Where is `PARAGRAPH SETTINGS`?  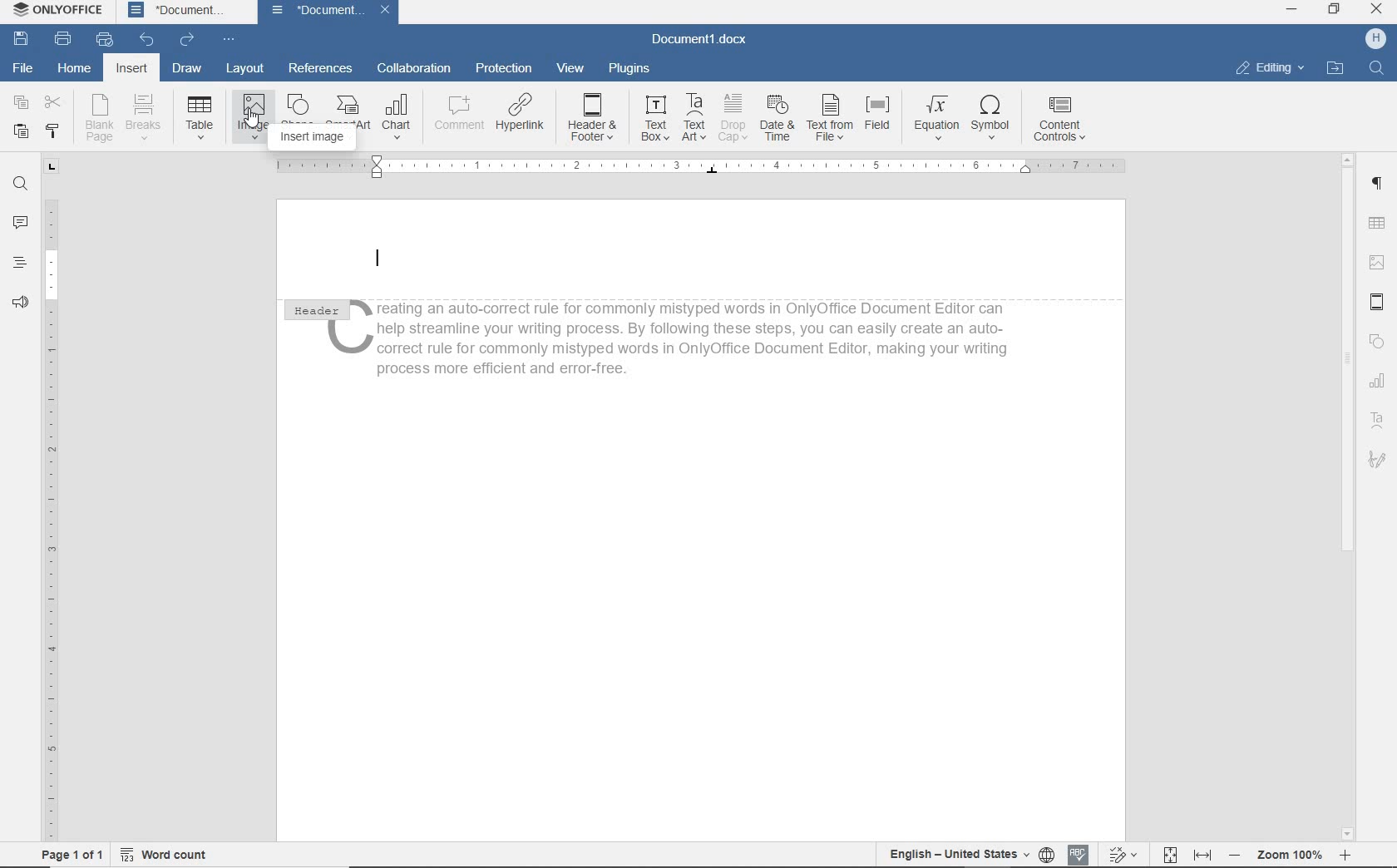 PARAGRAPH SETTINGS is located at coordinates (1376, 184).